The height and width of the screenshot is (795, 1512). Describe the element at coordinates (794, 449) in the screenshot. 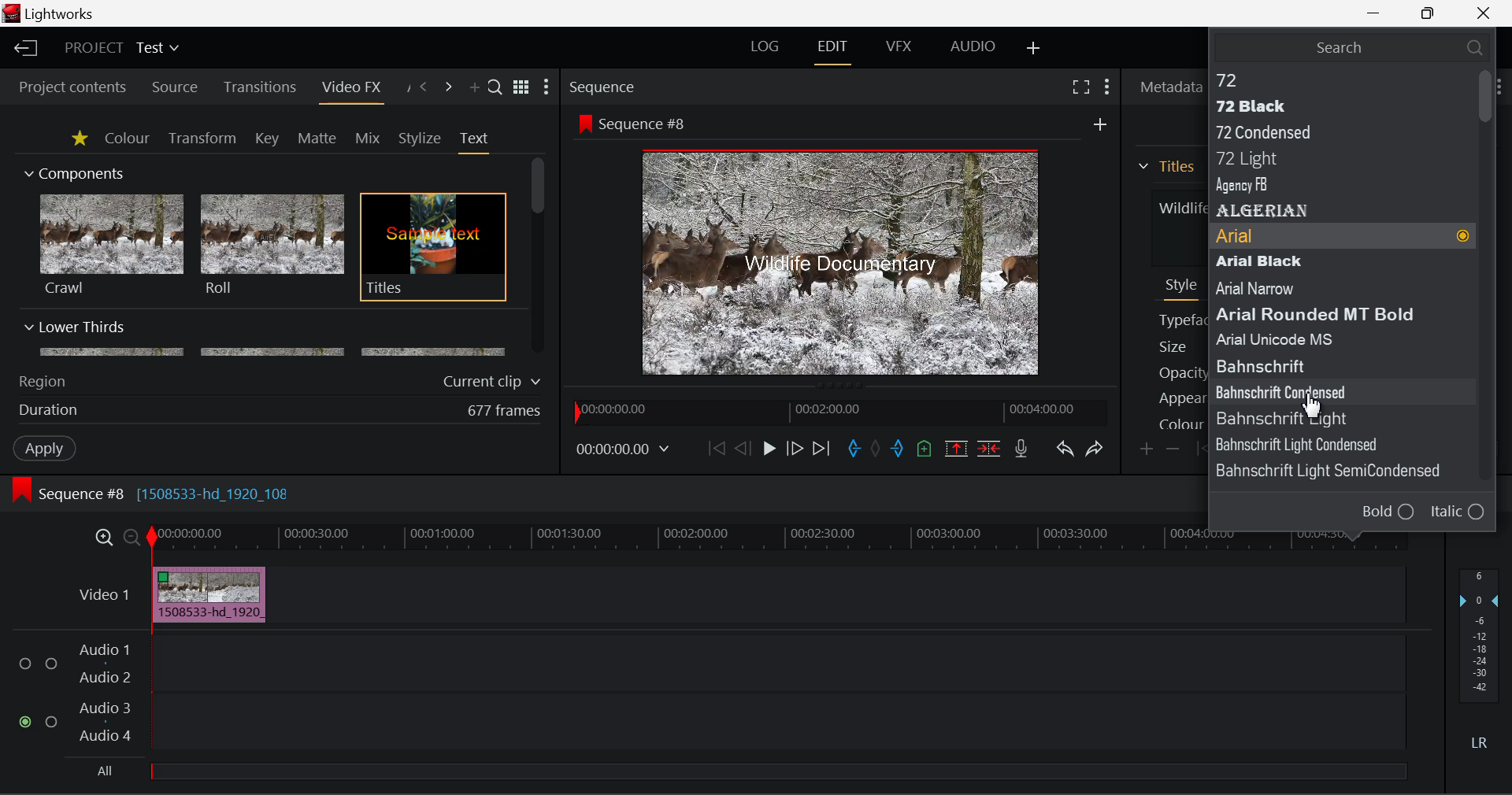

I see `Go Forward` at that location.